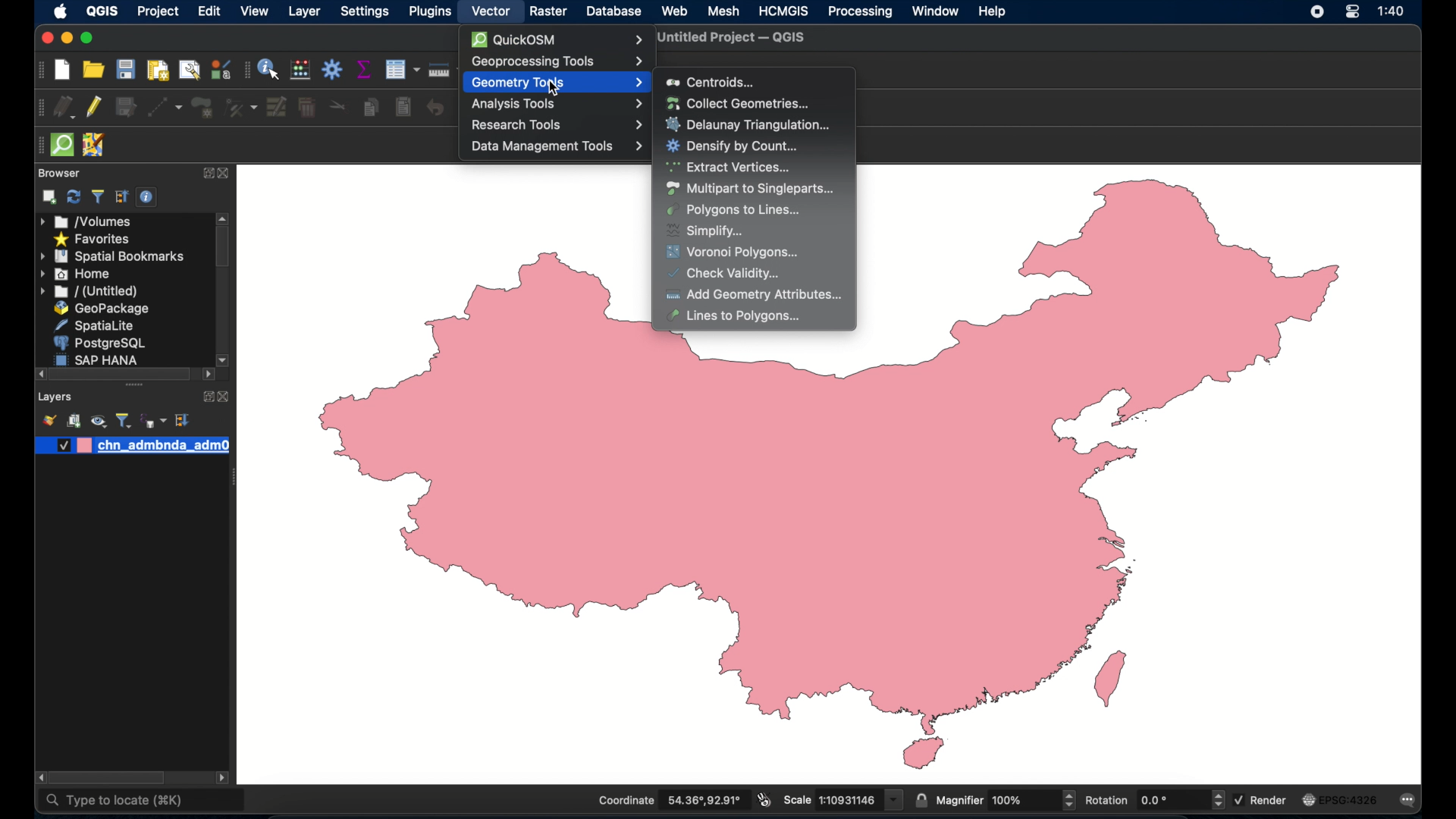 This screenshot has height=819, width=1456. What do you see at coordinates (113, 257) in the screenshot?
I see `spatial bookmarks` at bounding box center [113, 257].